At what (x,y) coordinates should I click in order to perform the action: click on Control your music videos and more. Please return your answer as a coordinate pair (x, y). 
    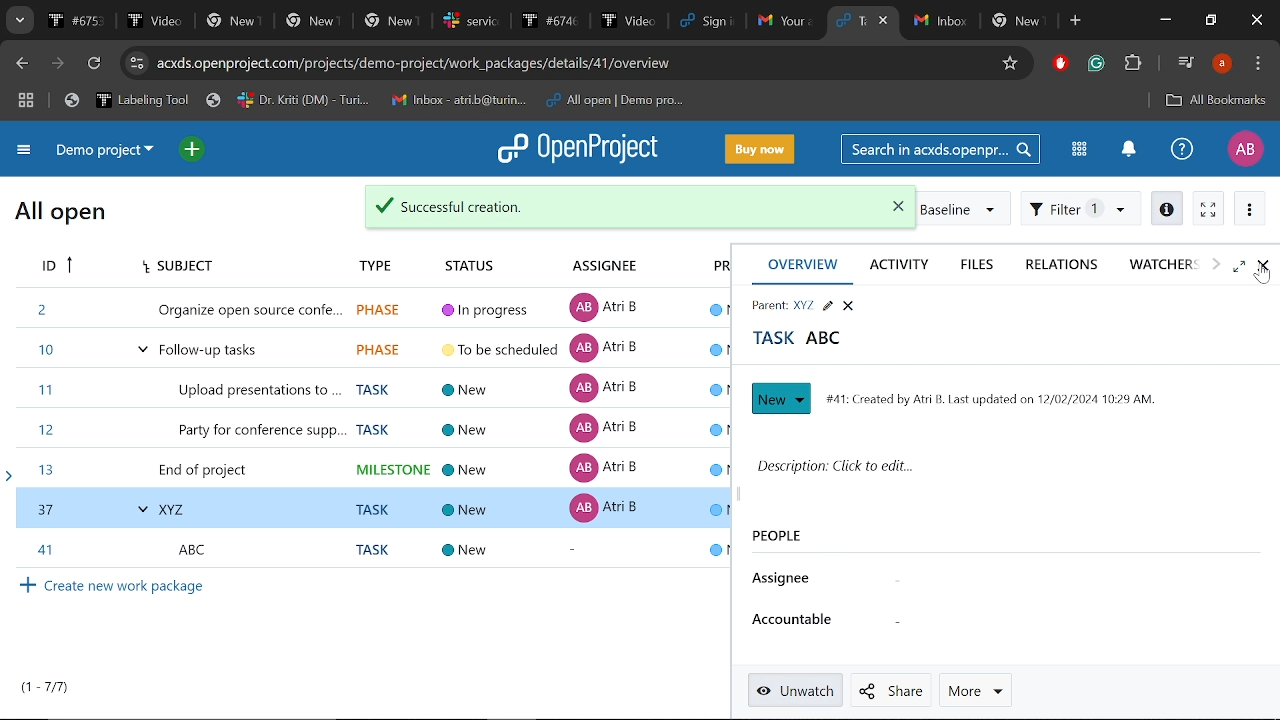
    Looking at the image, I should click on (1186, 61).